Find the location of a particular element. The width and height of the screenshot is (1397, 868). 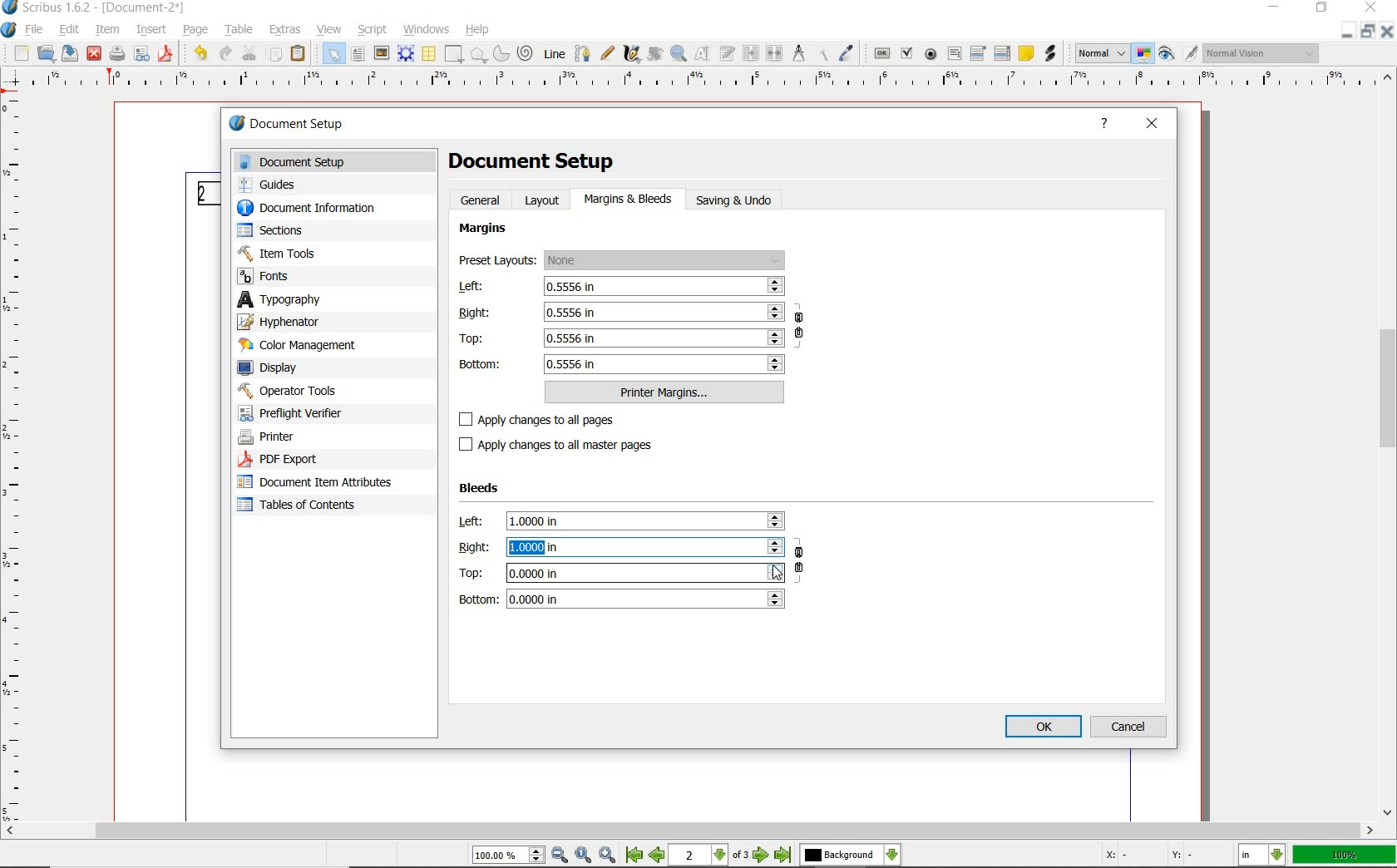

item tools is located at coordinates (280, 255).